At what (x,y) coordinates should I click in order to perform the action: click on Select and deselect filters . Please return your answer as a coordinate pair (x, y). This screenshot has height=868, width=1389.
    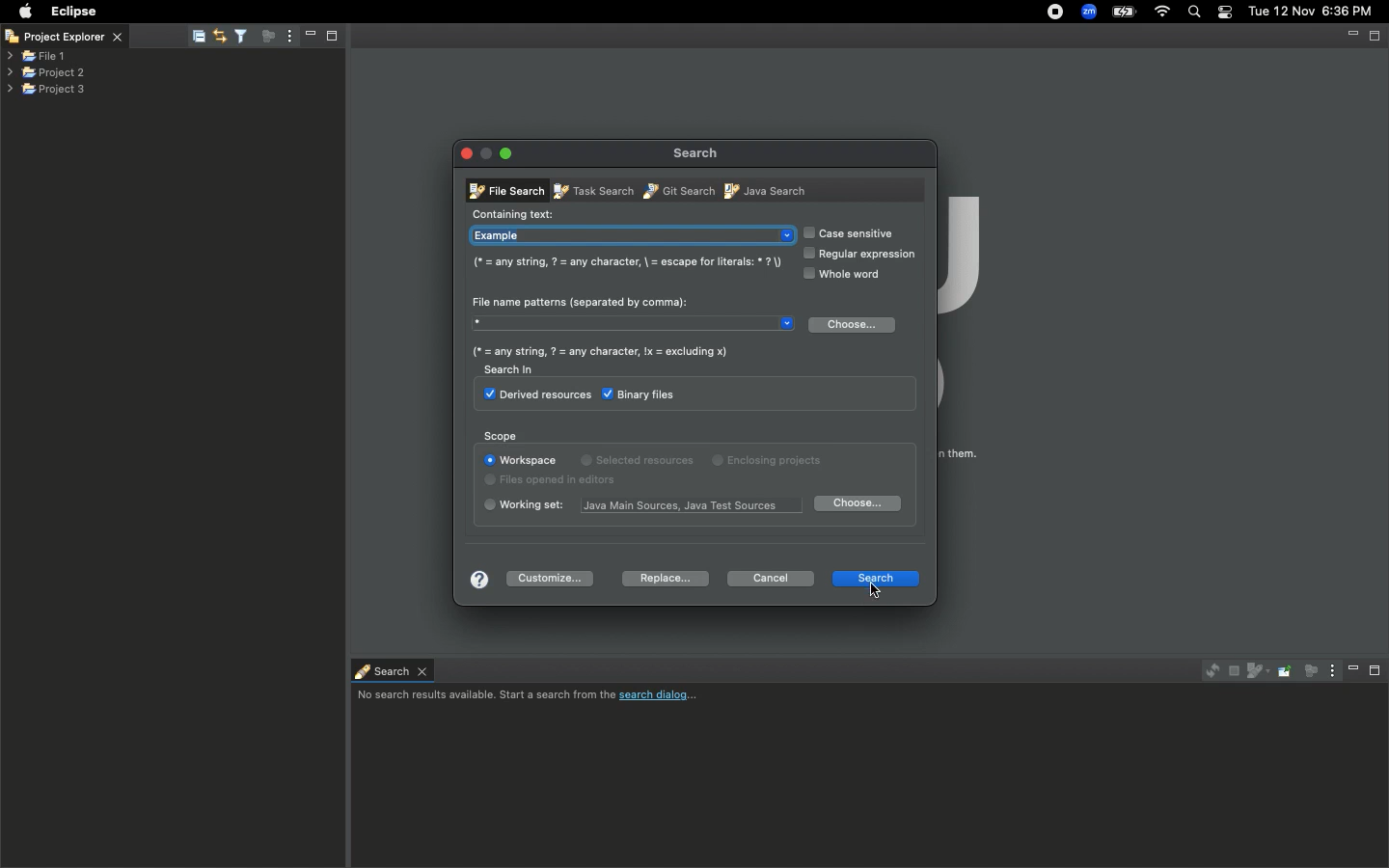
    Looking at the image, I should click on (245, 34).